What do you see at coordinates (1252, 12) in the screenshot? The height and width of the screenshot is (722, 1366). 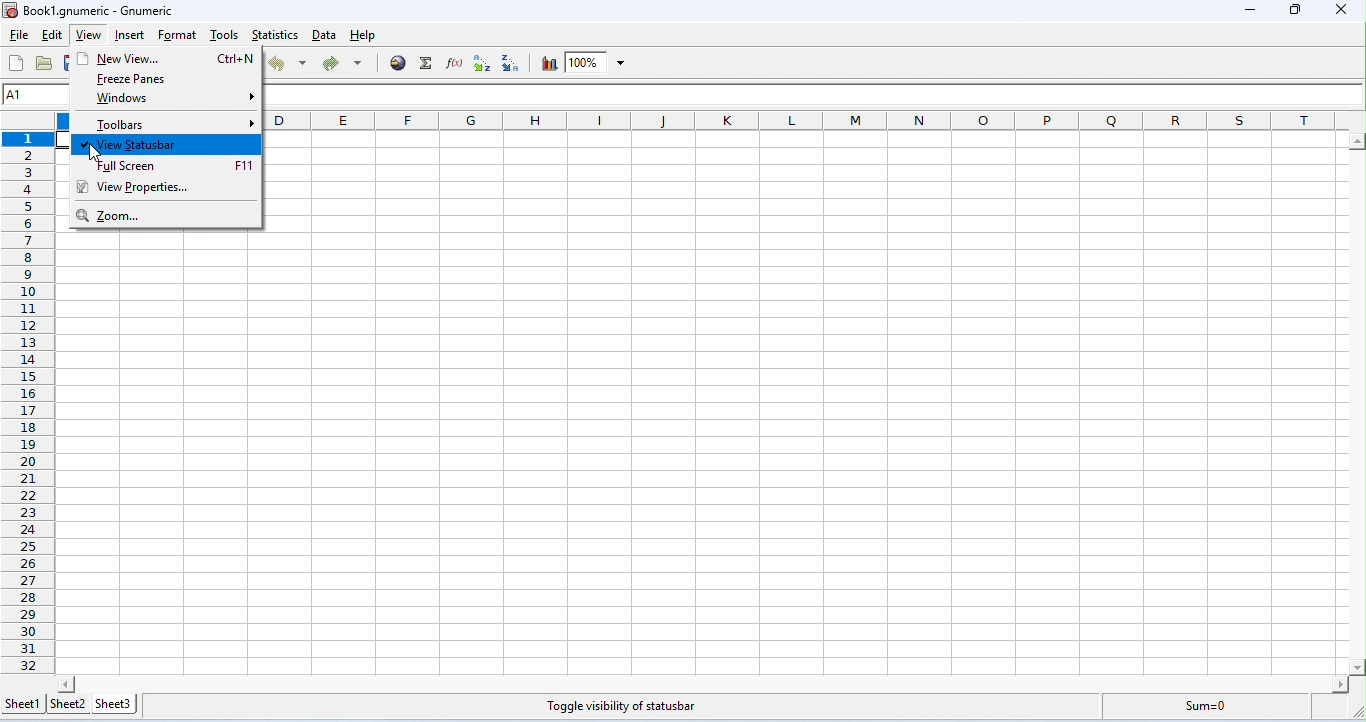 I see `minimize` at bounding box center [1252, 12].